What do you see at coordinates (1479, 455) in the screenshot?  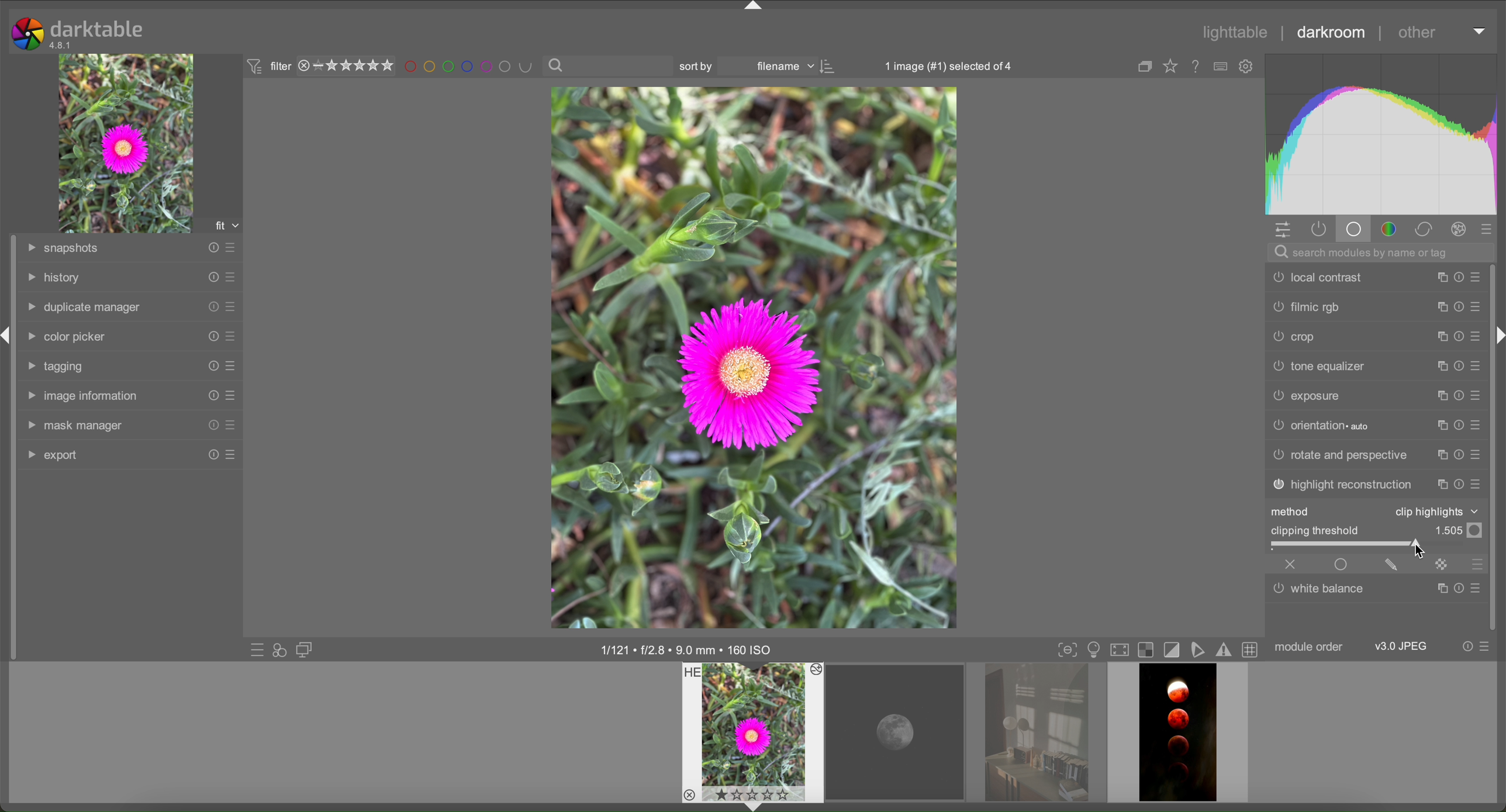 I see `presets` at bounding box center [1479, 455].